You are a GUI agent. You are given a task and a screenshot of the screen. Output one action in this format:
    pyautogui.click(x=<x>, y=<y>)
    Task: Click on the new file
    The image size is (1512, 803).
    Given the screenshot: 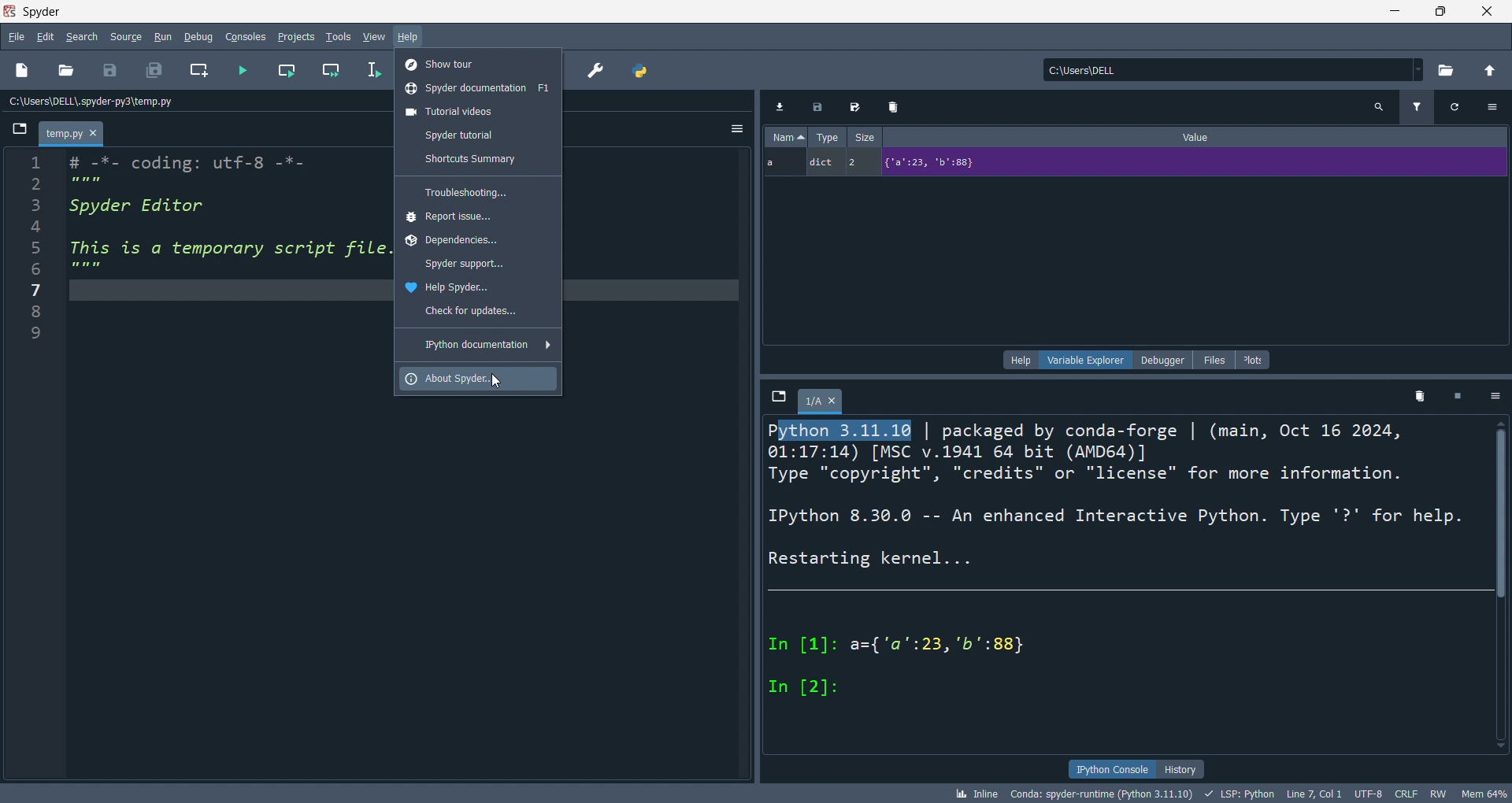 What is the action you would take?
    pyautogui.click(x=24, y=72)
    